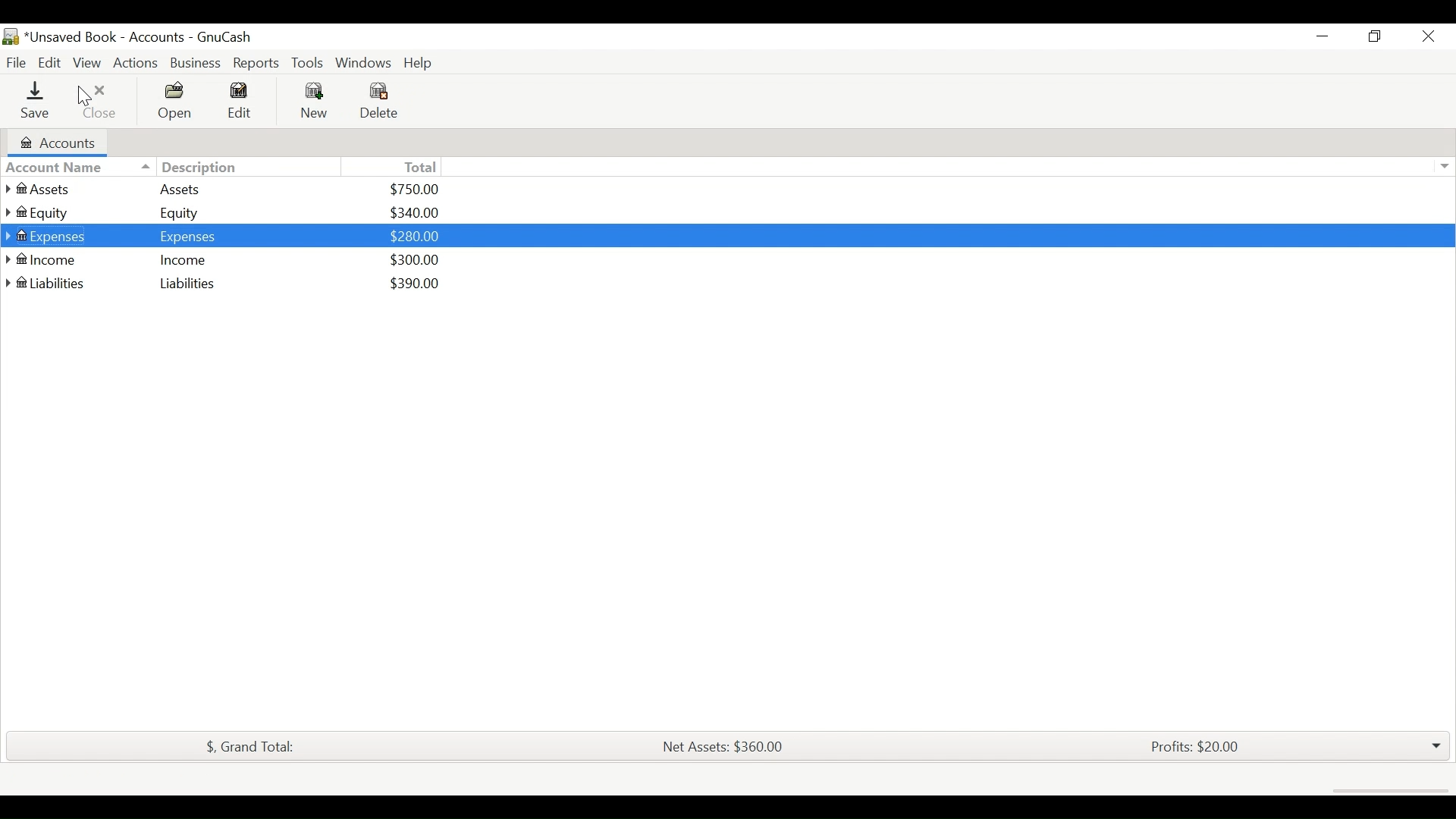 The image size is (1456, 819). Describe the element at coordinates (246, 746) in the screenshot. I see `Grand Total` at that location.